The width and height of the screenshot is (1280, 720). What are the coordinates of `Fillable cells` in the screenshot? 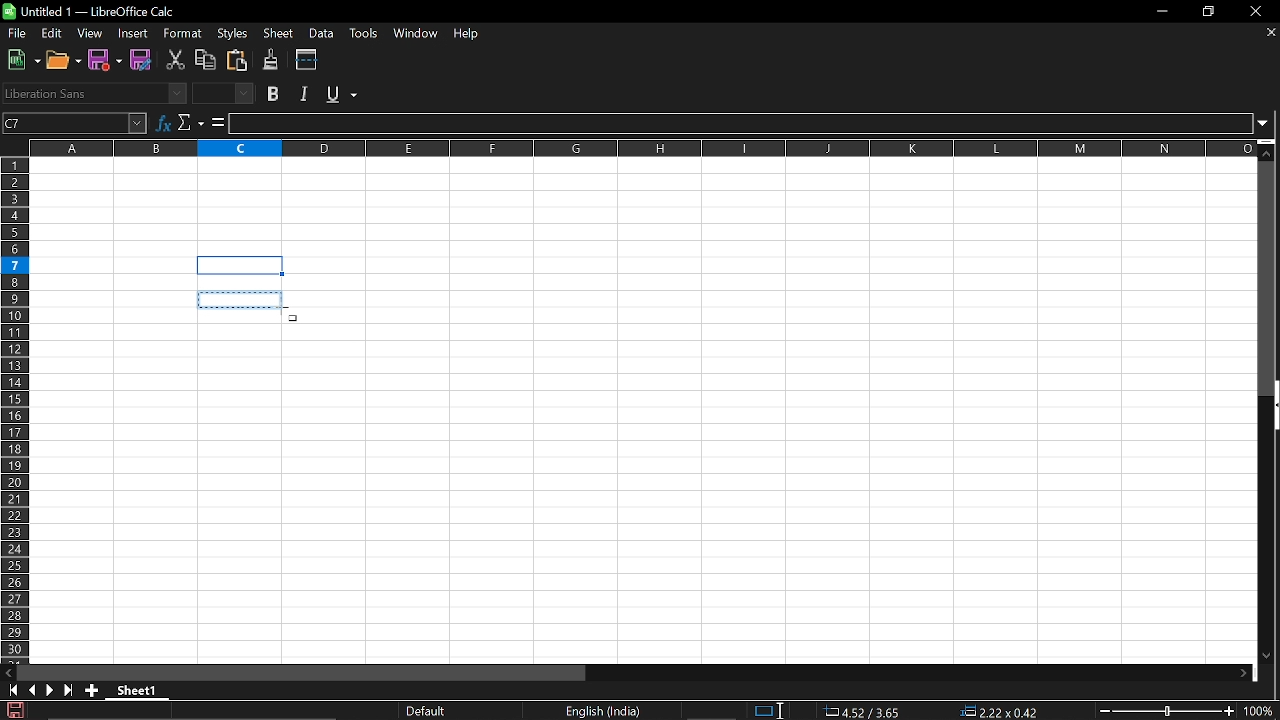 It's located at (113, 281).